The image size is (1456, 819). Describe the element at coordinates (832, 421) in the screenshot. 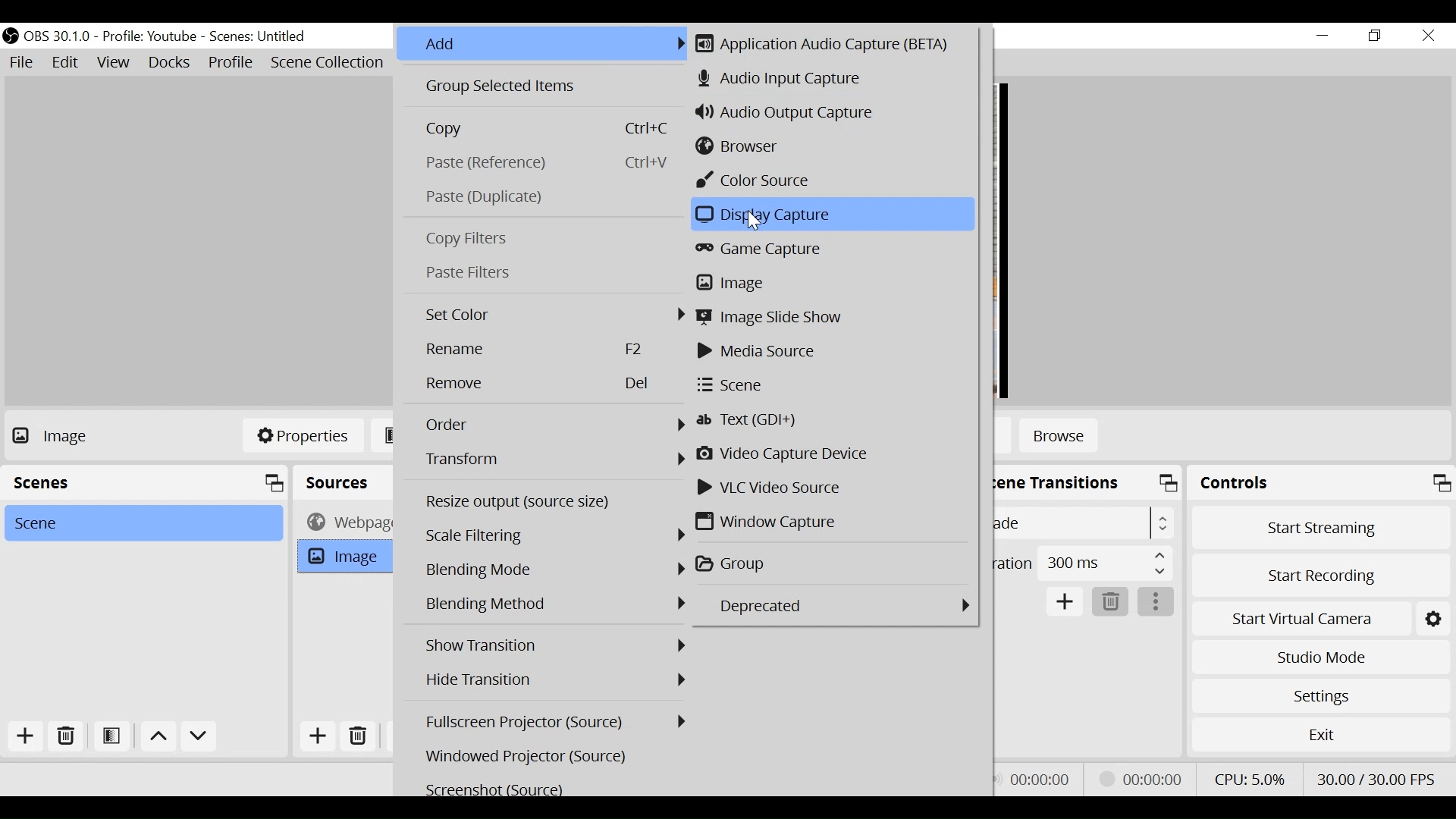

I see `Text (GDI+)` at that location.